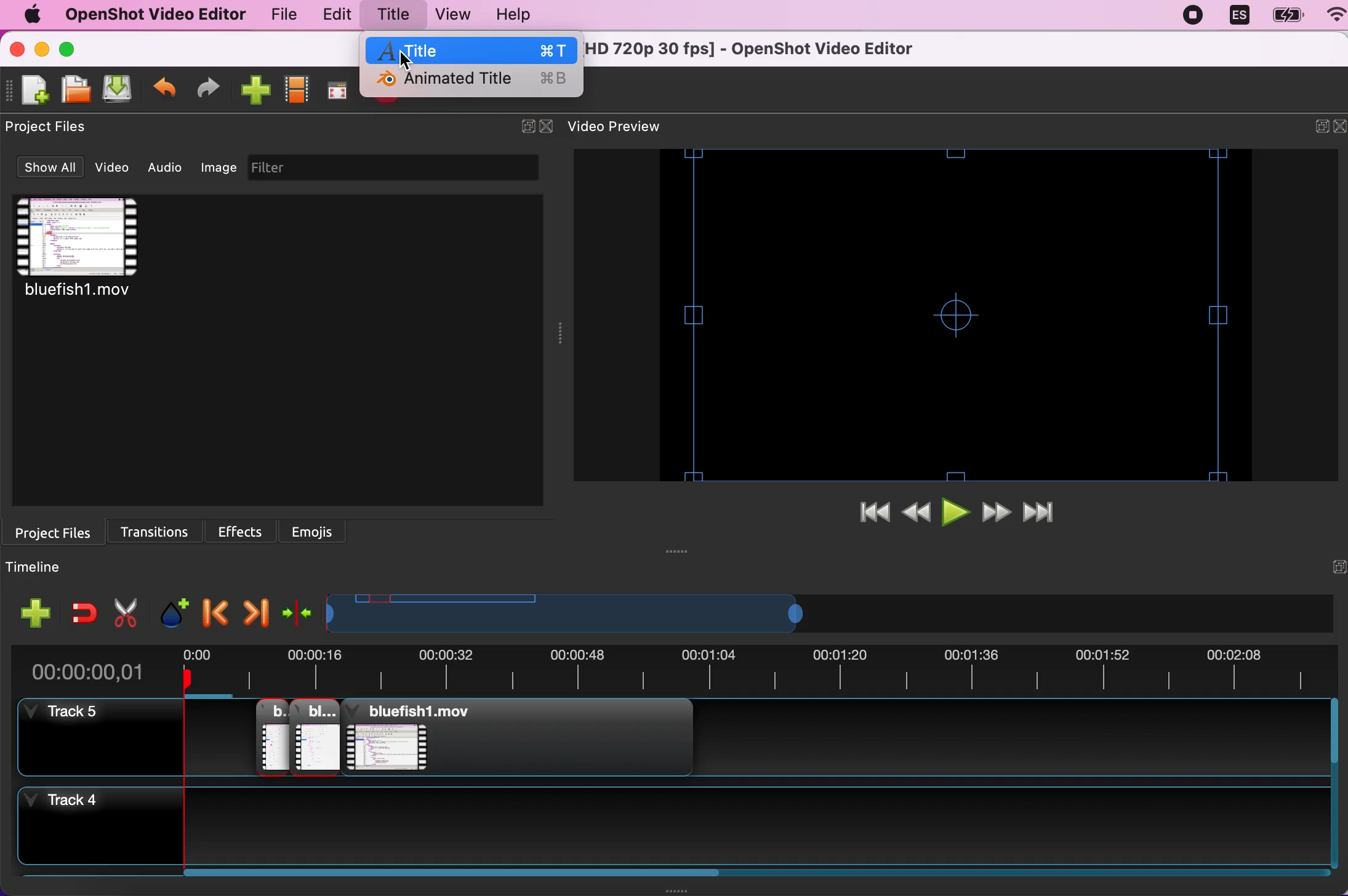  What do you see at coordinates (1283, 16) in the screenshot?
I see `battery` at bounding box center [1283, 16].